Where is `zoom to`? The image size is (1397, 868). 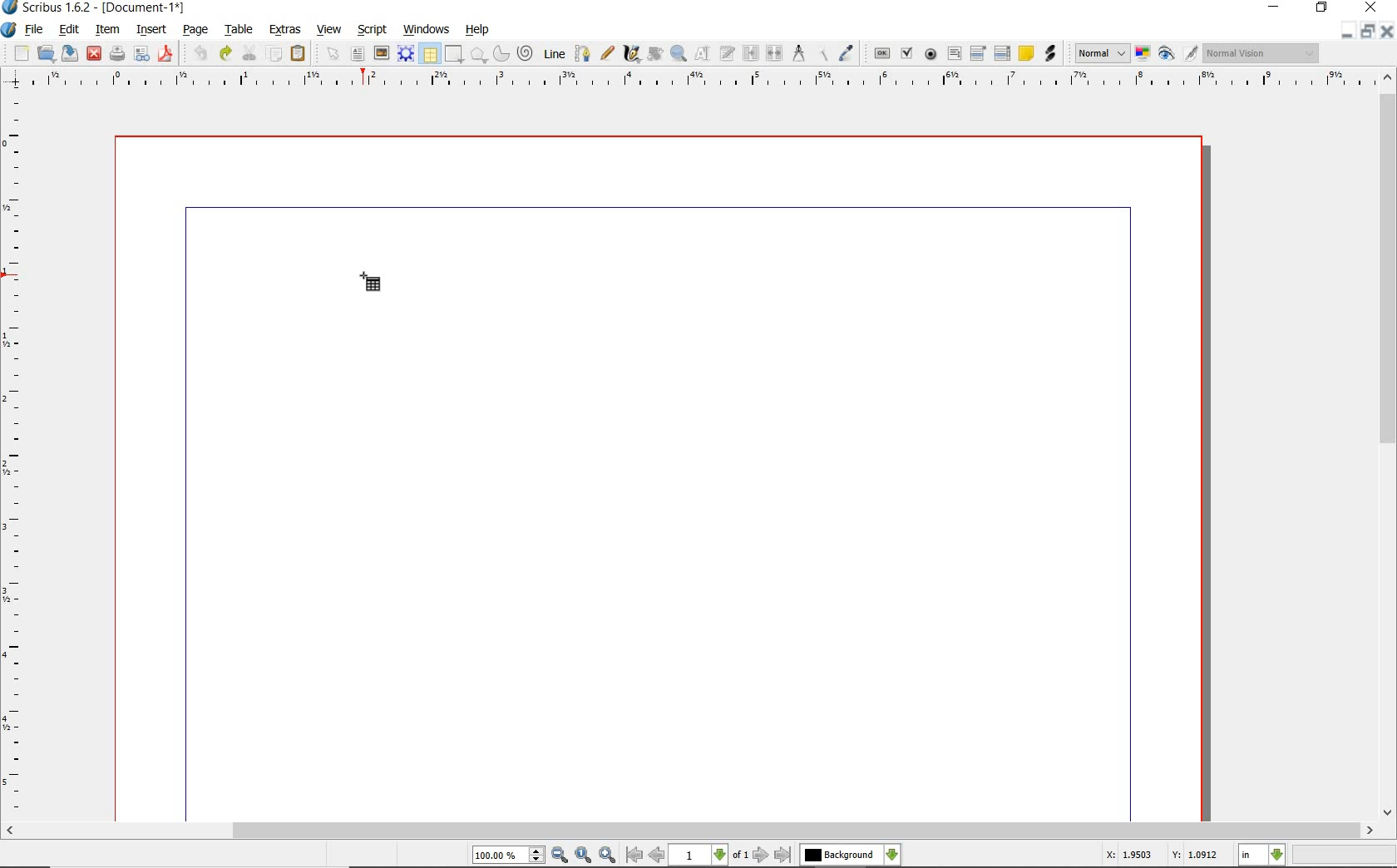 zoom to is located at coordinates (583, 856).